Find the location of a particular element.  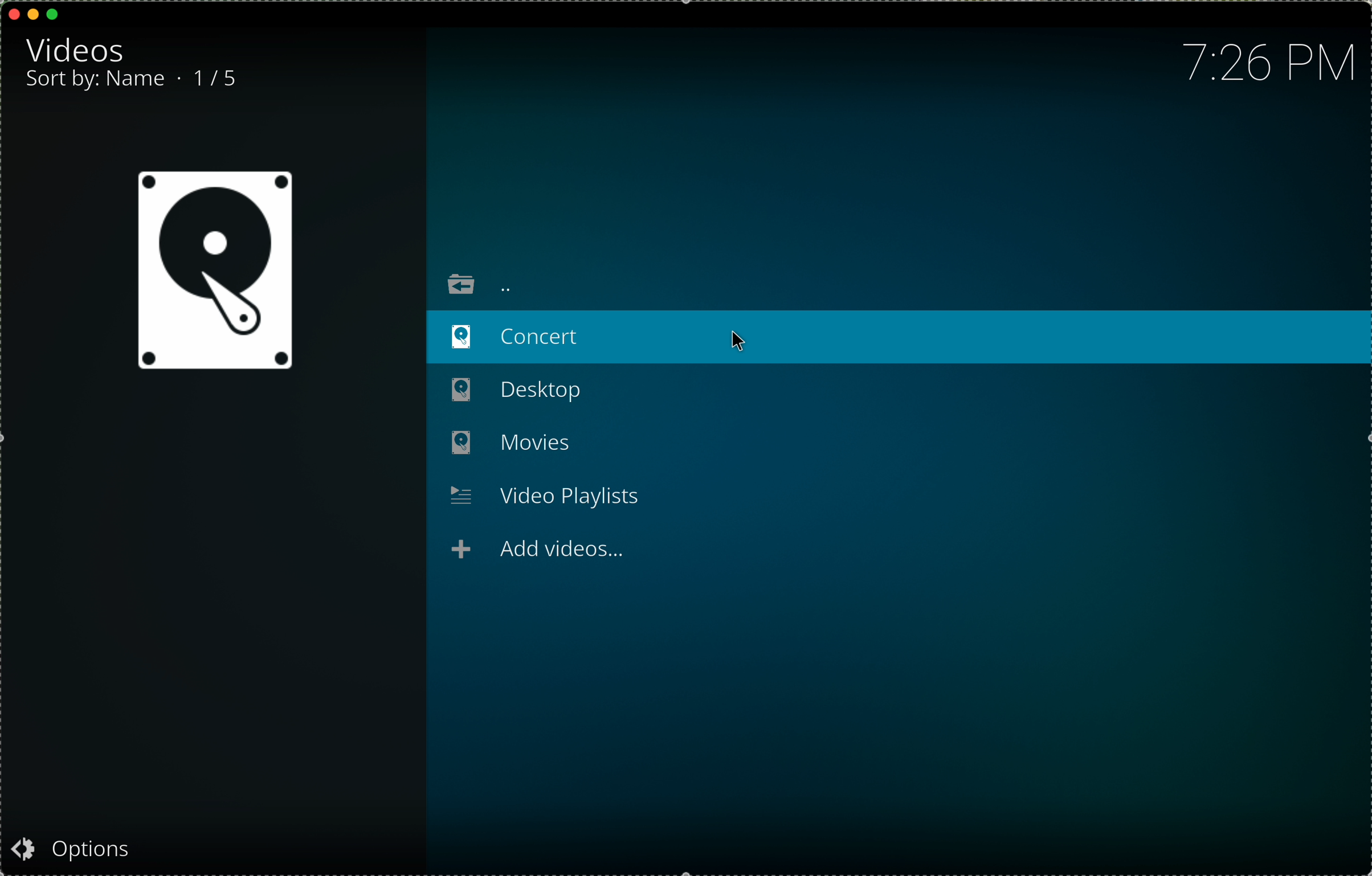

add videos is located at coordinates (538, 552).